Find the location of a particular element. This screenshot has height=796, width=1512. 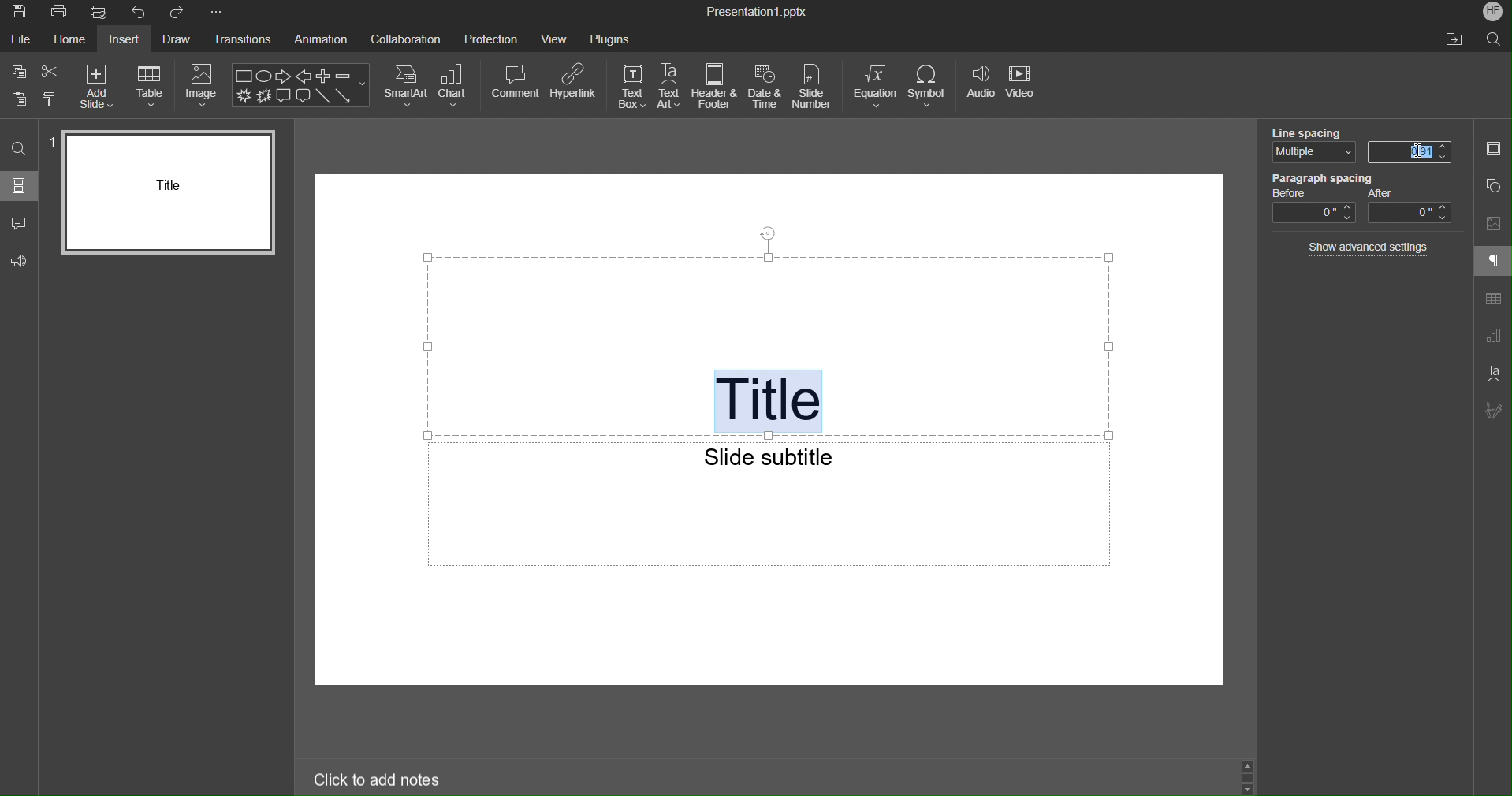

Click to add notes is located at coordinates (378, 778).